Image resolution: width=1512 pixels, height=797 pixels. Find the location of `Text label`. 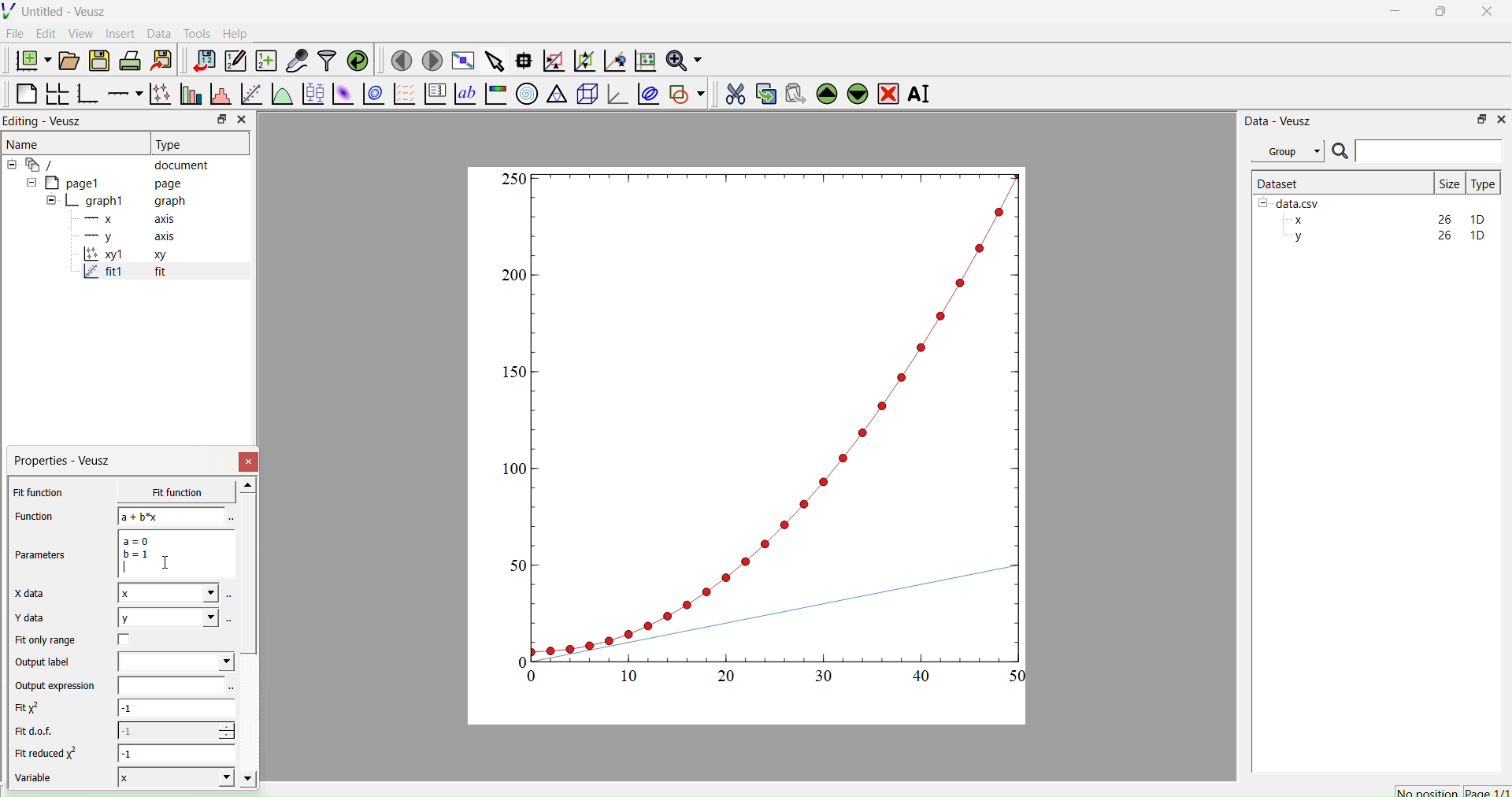

Text label is located at coordinates (464, 94).